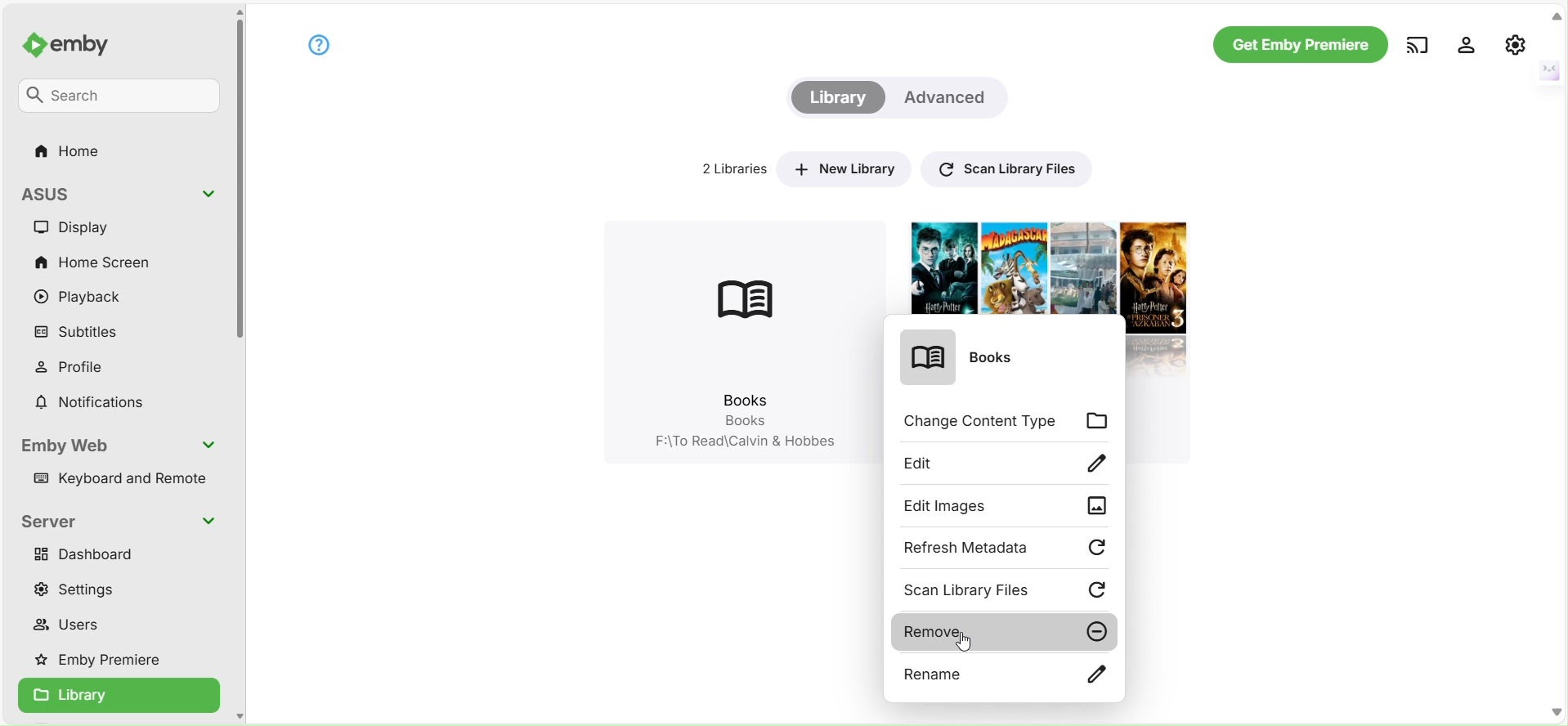 The width and height of the screenshot is (1568, 726). What do you see at coordinates (77, 47) in the screenshot?
I see `Application Logo and Name` at bounding box center [77, 47].